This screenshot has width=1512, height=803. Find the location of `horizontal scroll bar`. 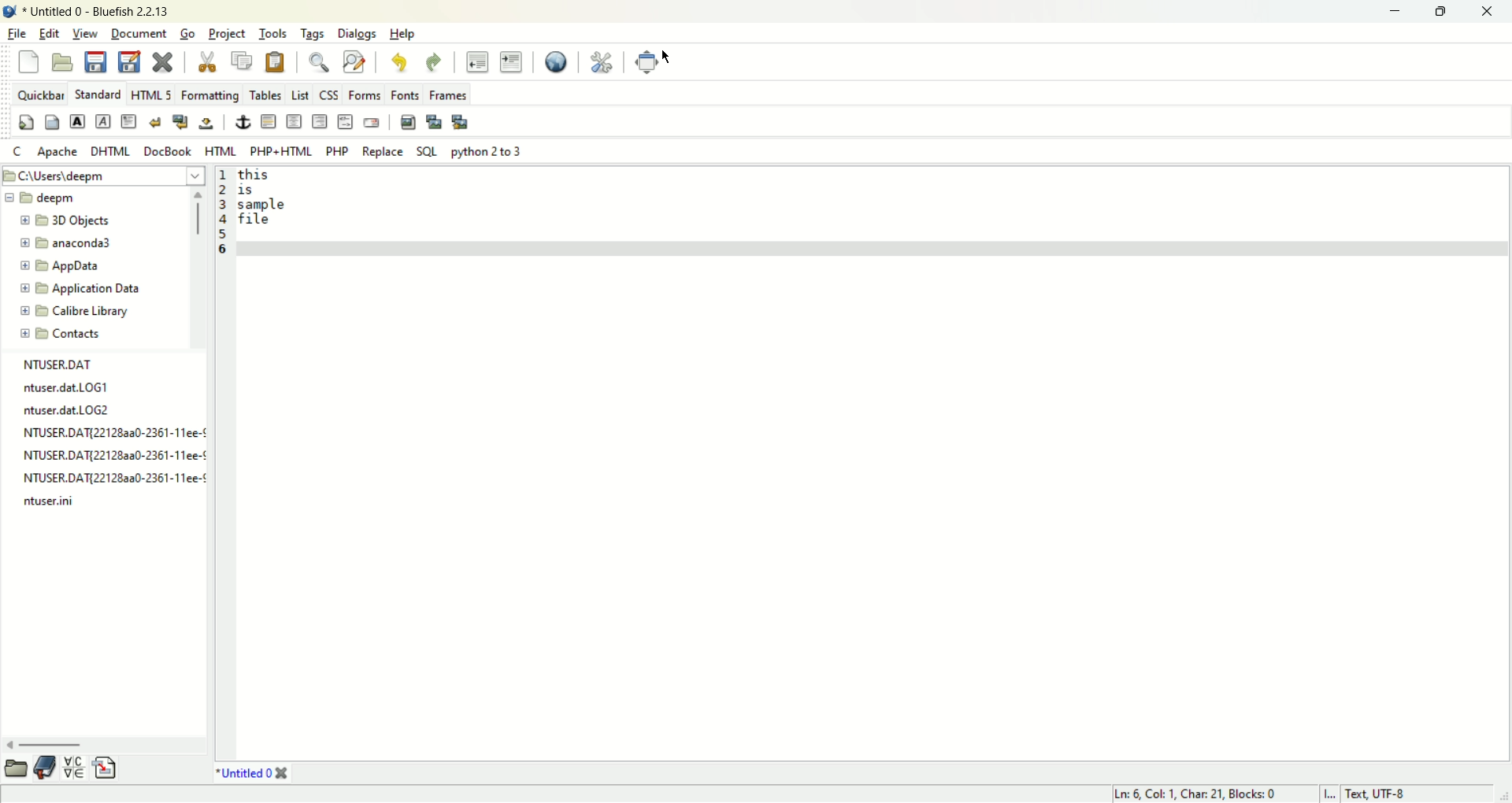

horizontal scroll bar is located at coordinates (101, 746).